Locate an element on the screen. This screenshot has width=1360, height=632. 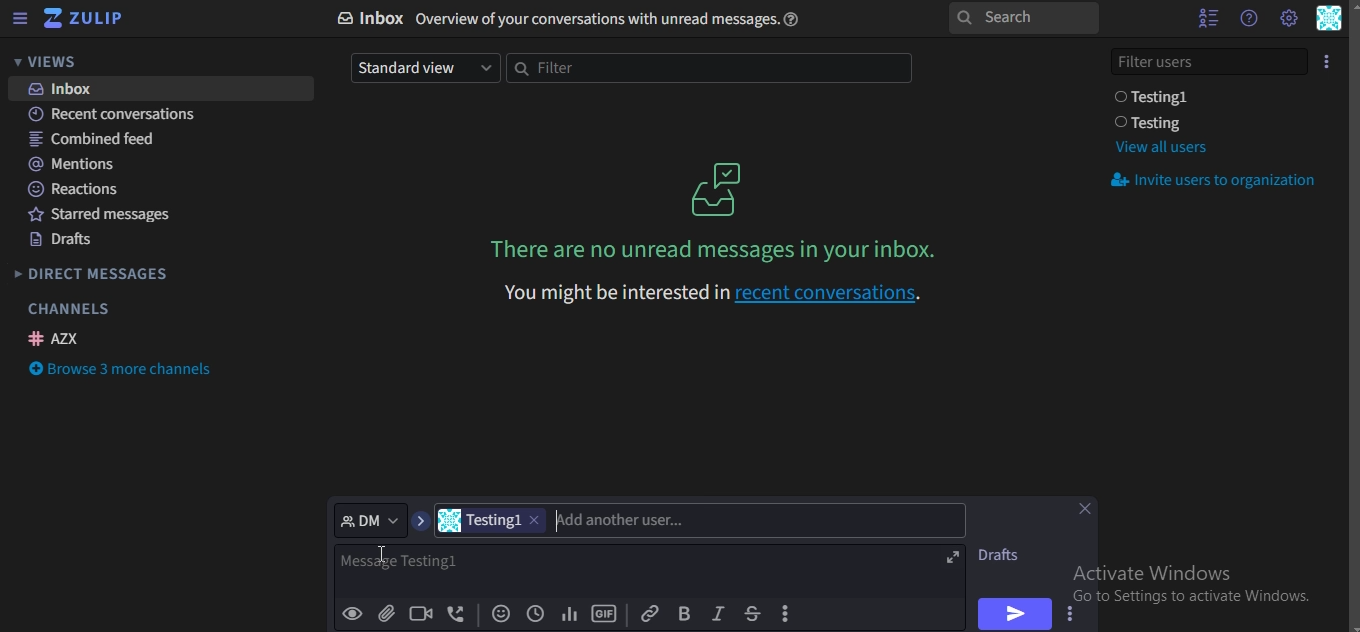
add video call is located at coordinates (422, 613).